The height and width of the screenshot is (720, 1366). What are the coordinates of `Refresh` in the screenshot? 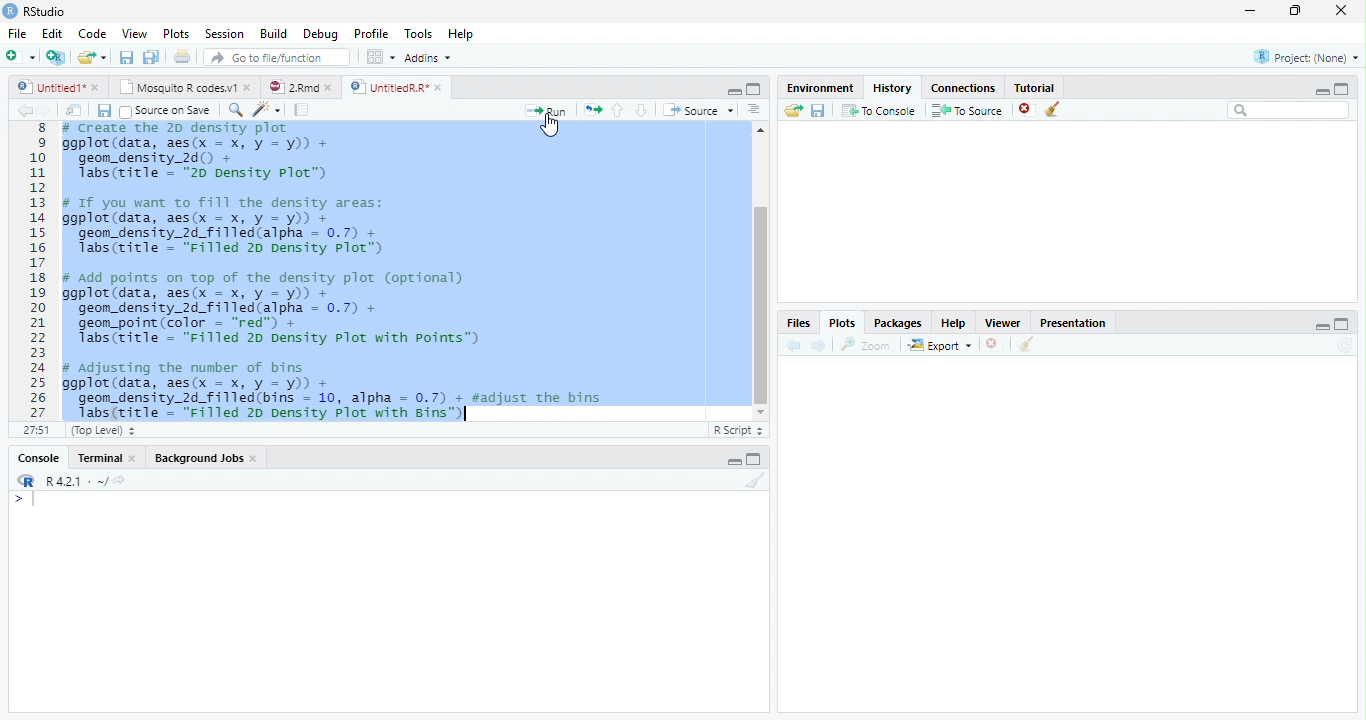 It's located at (1348, 345).